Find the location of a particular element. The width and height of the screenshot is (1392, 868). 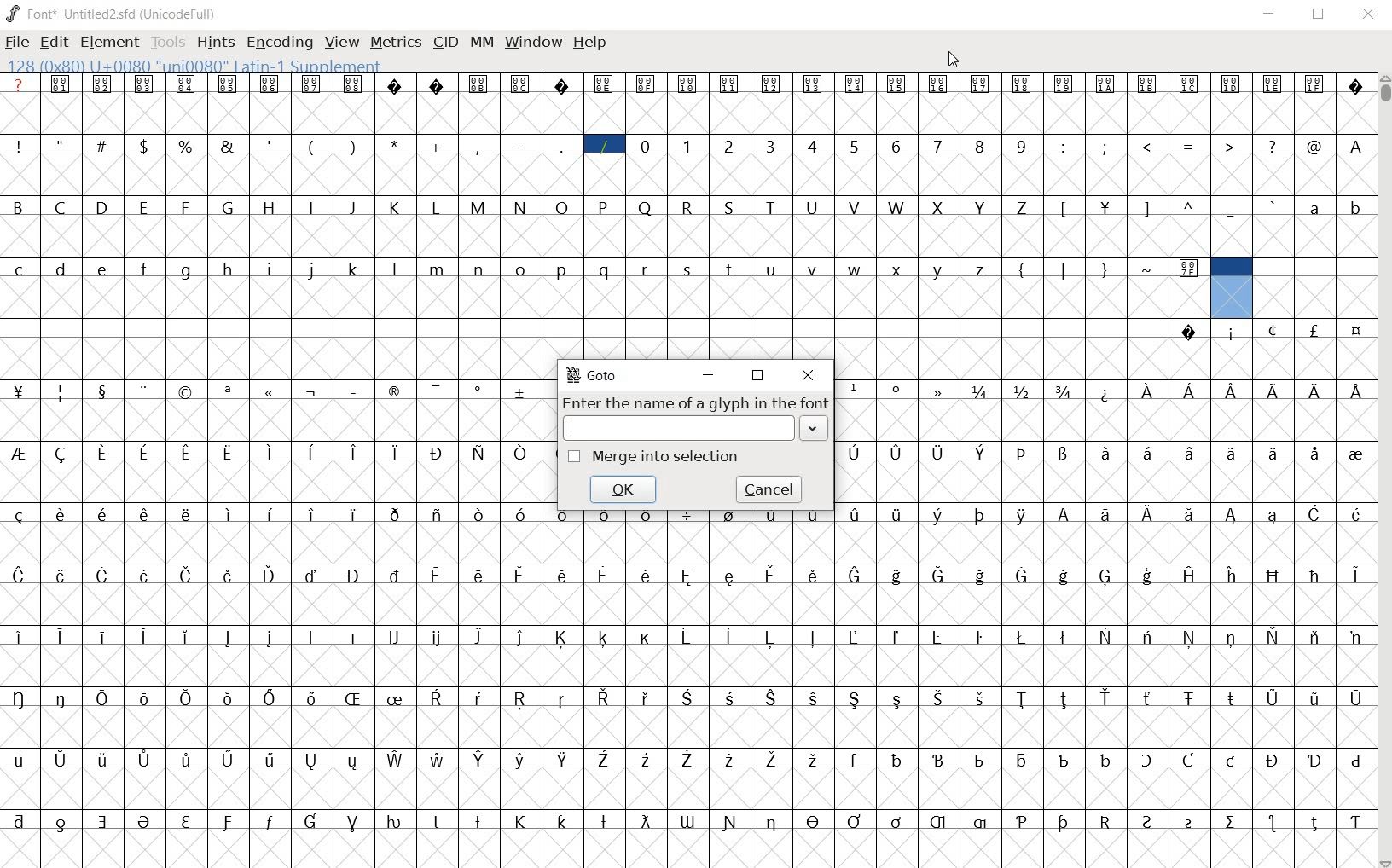

Symbol is located at coordinates (1273, 759).